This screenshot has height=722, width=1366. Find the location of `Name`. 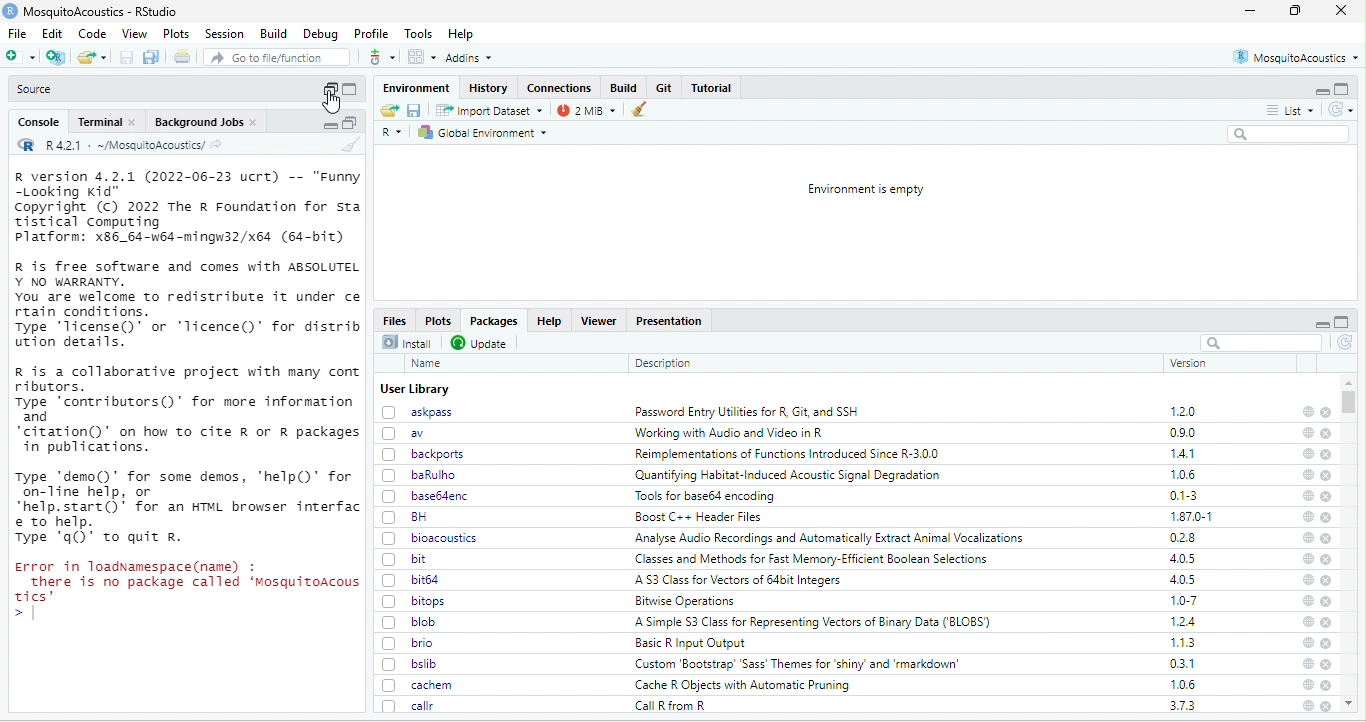

Name is located at coordinates (427, 363).